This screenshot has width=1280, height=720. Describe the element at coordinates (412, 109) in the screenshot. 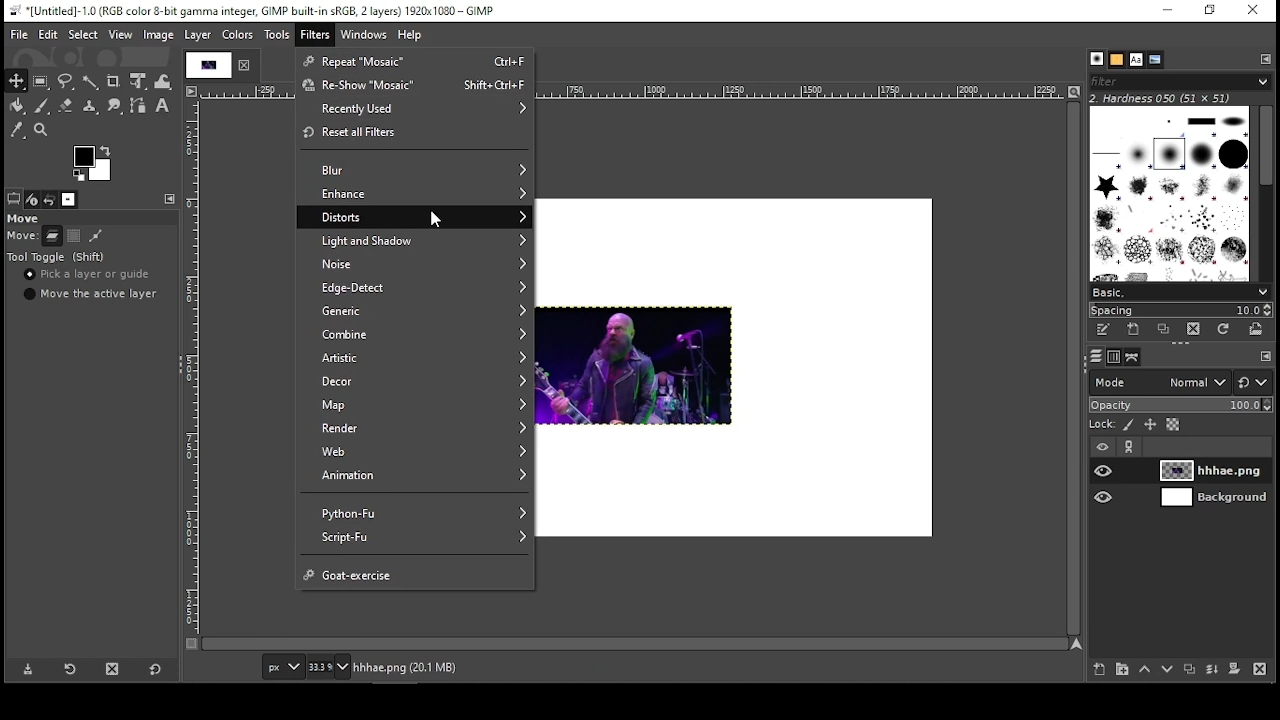

I see `recently used` at that location.